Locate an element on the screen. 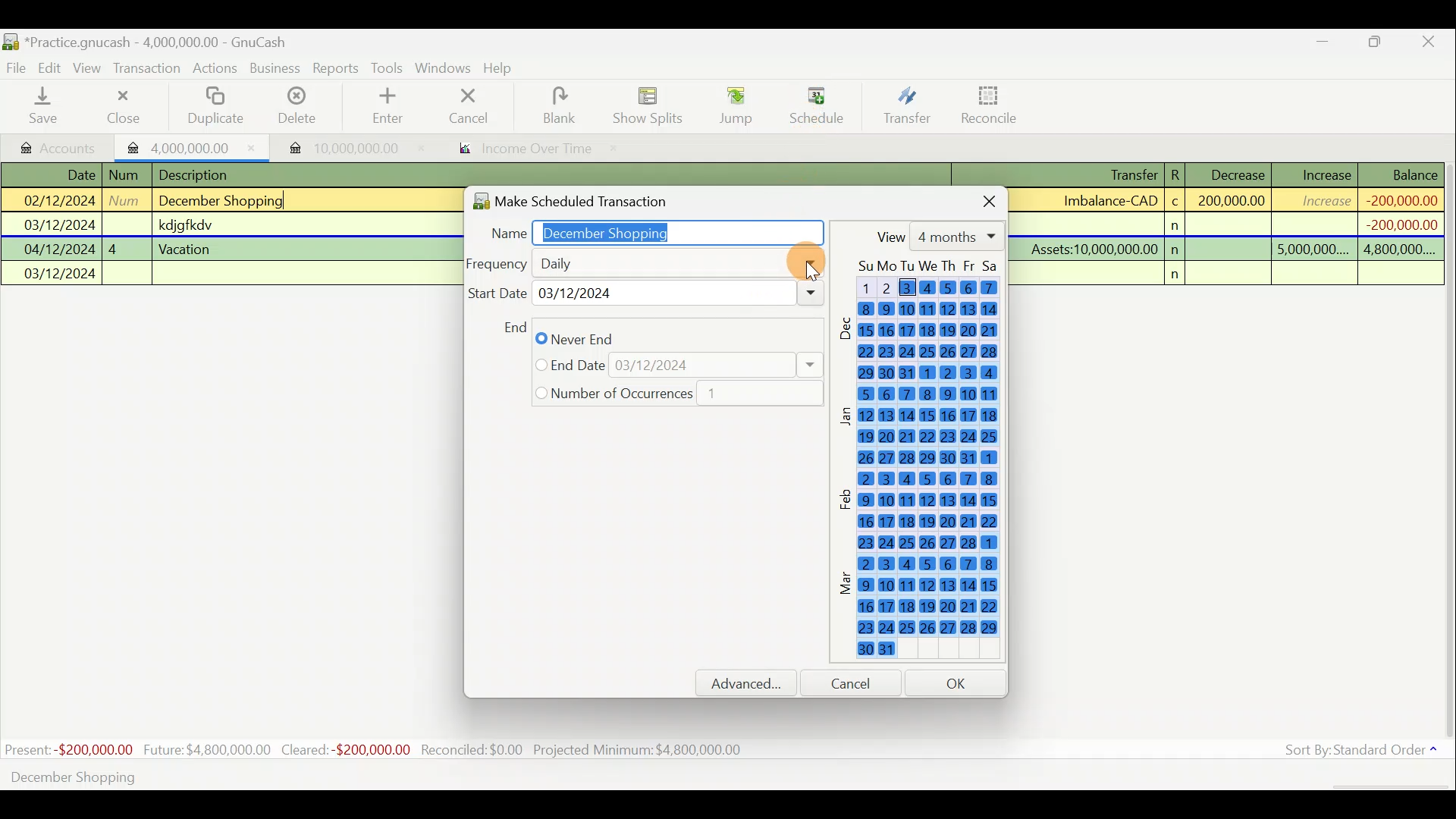 The width and height of the screenshot is (1456, 819). File is located at coordinates (17, 68).